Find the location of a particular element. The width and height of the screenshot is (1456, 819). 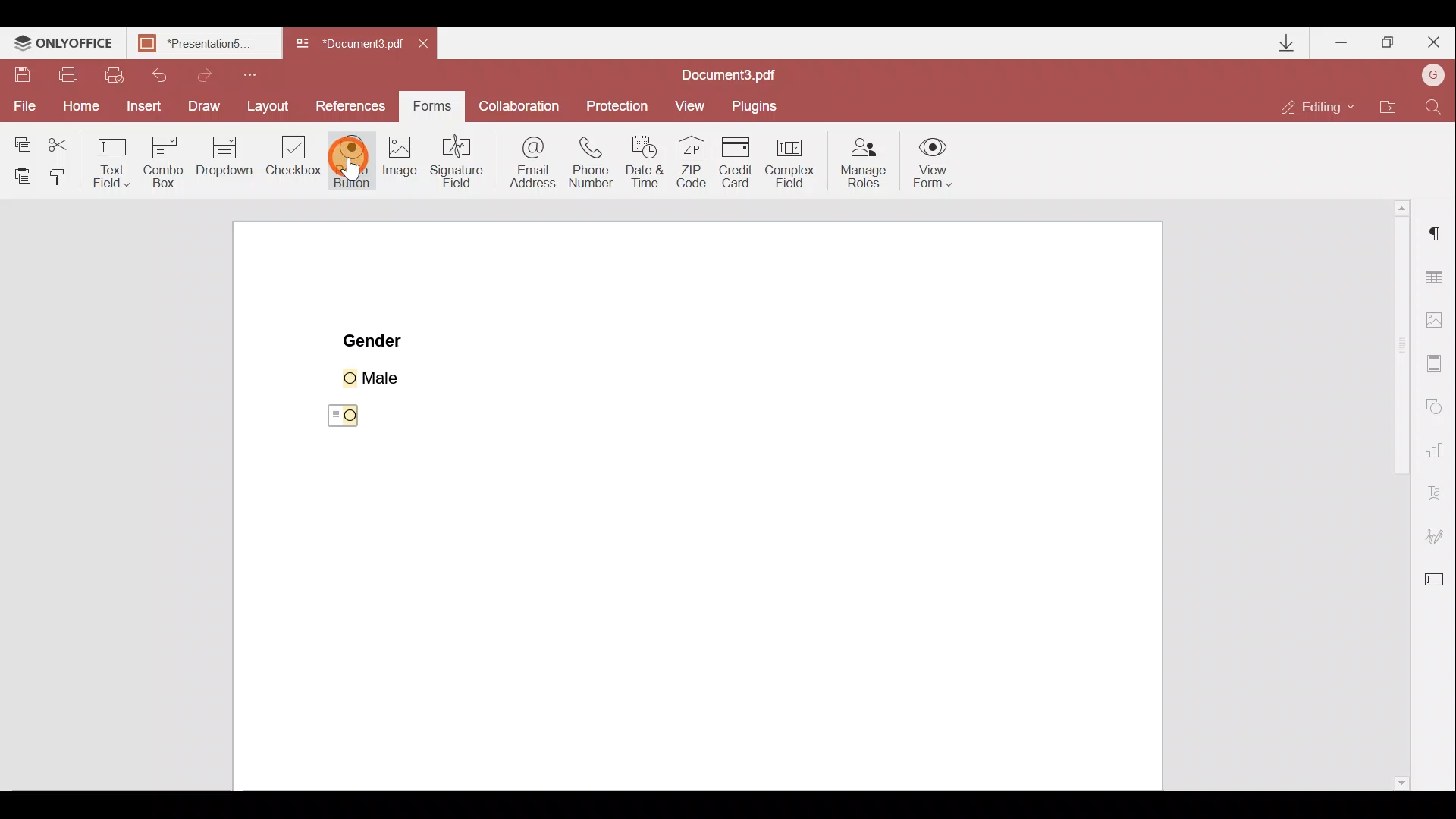

ZIP code is located at coordinates (692, 162).